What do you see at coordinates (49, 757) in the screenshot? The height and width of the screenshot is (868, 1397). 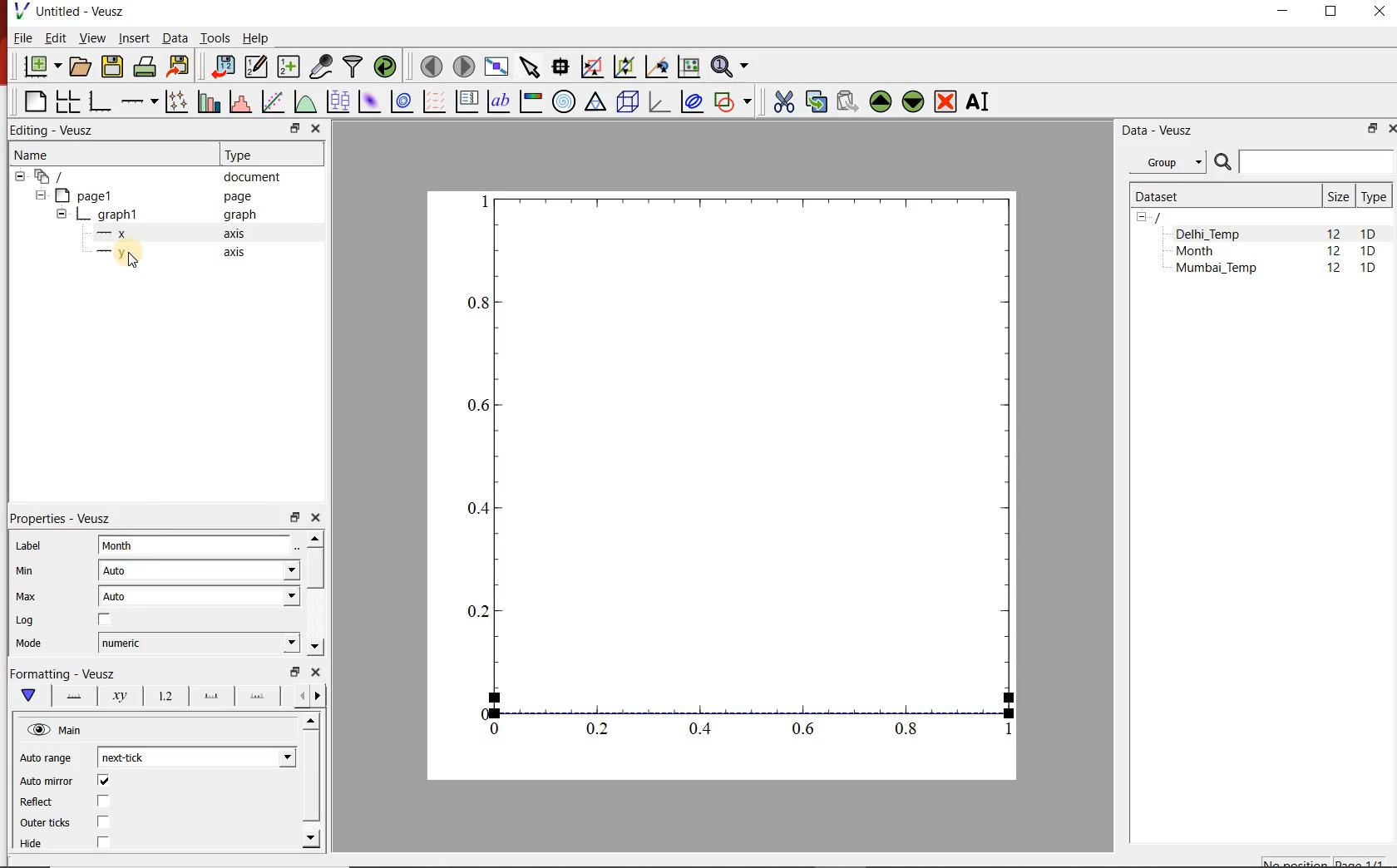 I see `Auto range` at bounding box center [49, 757].